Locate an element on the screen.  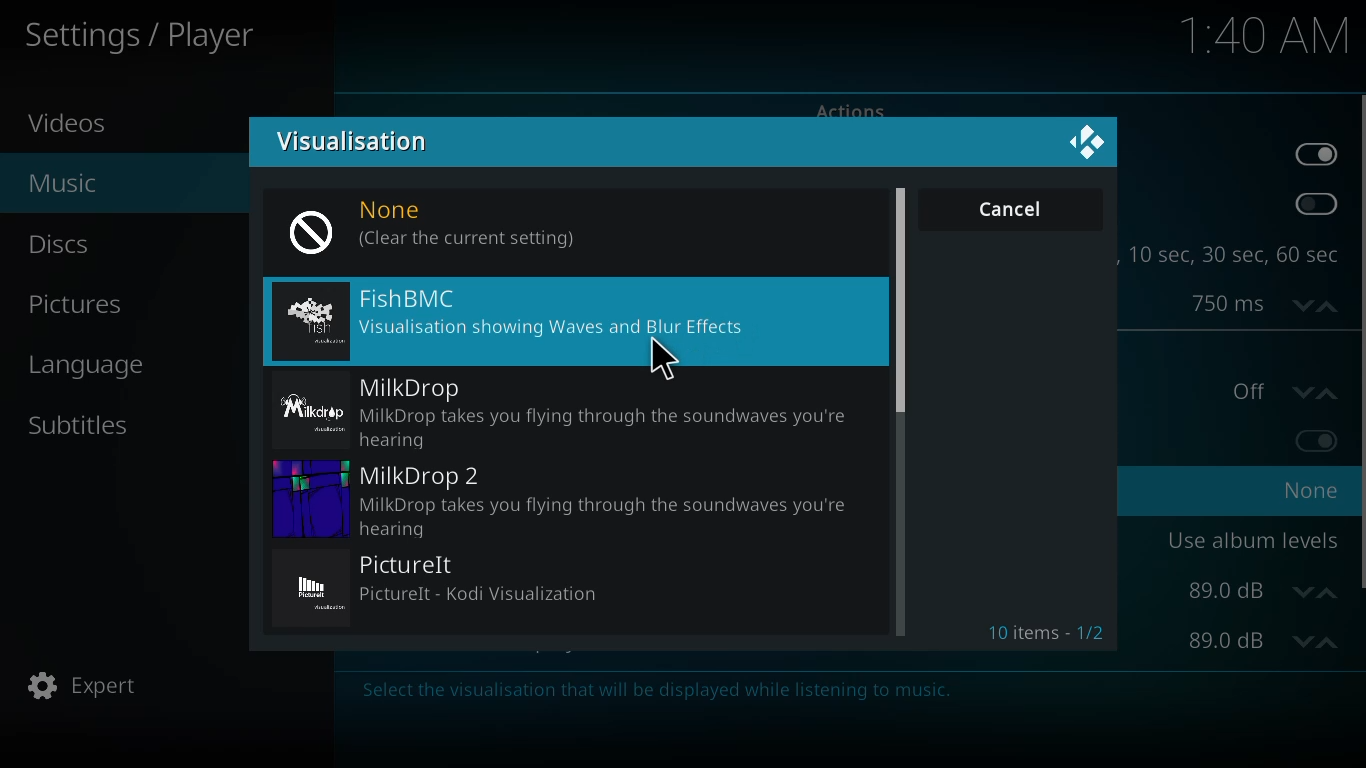
scroll bar is located at coordinates (1360, 340).